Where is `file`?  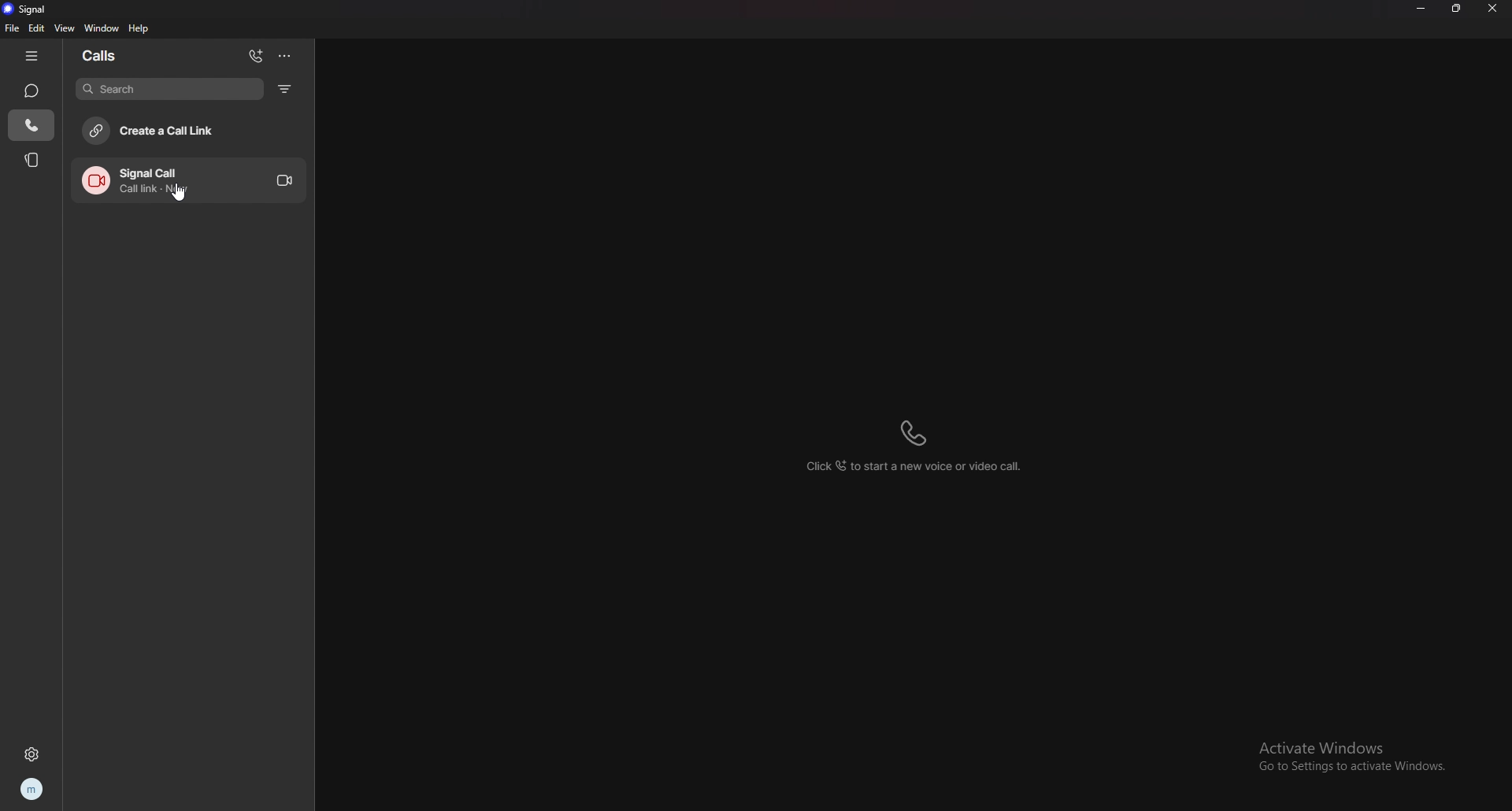
file is located at coordinates (13, 28).